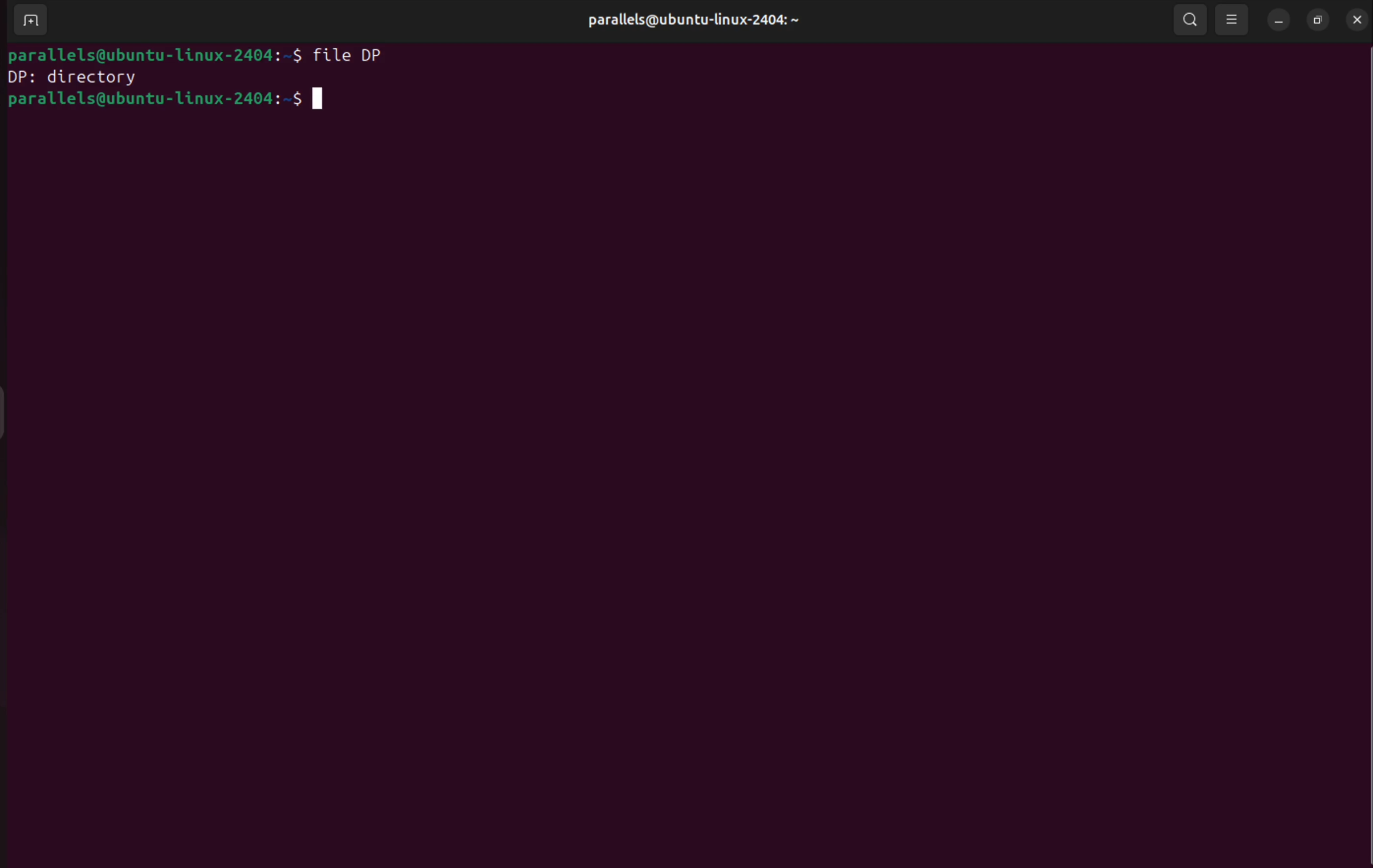 The height and width of the screenshot is (868, 1373). Describe the element at coordinates (705, 19) in the screenshot. I see `parallels` at that location.